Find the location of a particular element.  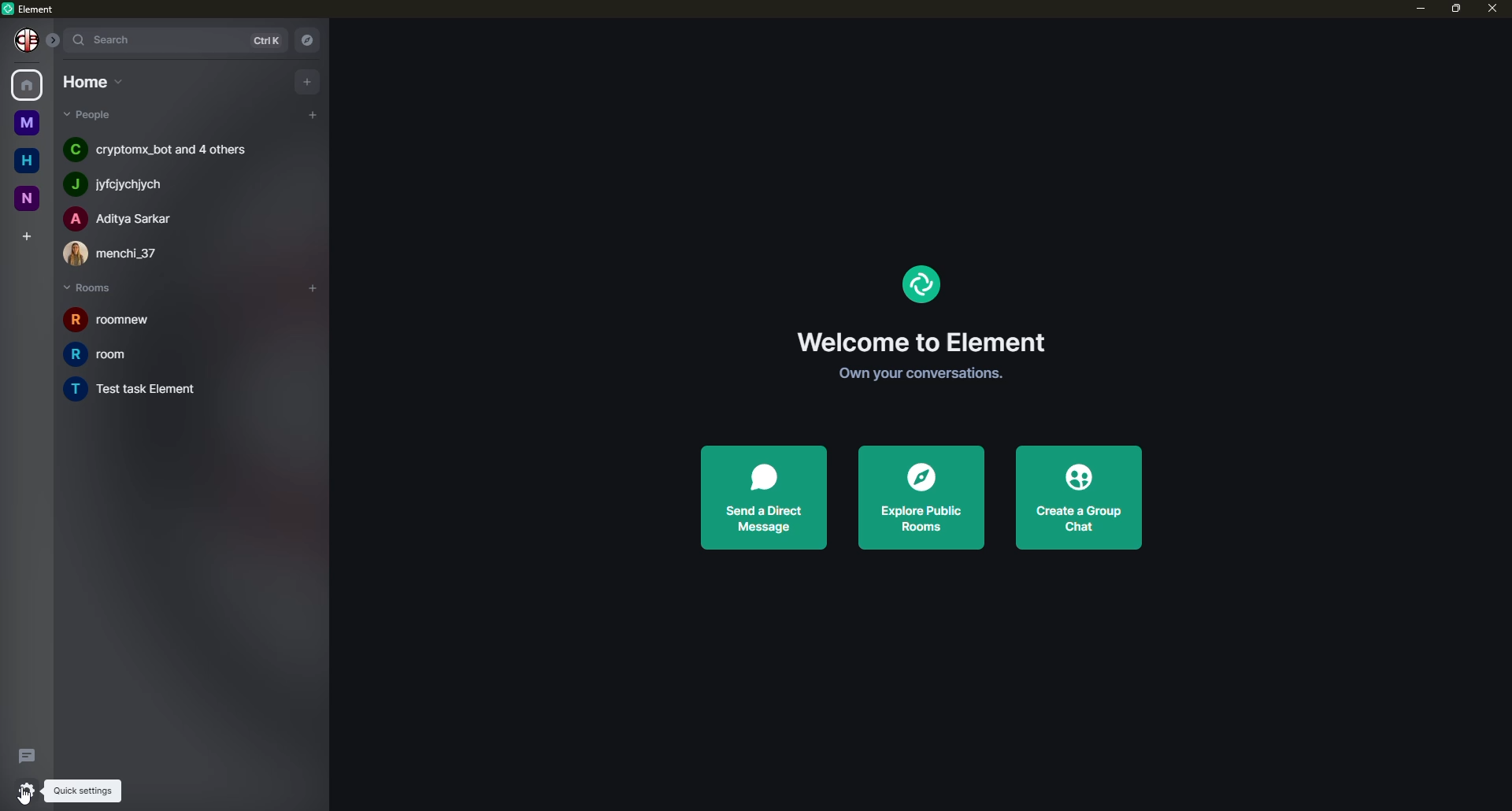

people is located at coordinates (95, 115).